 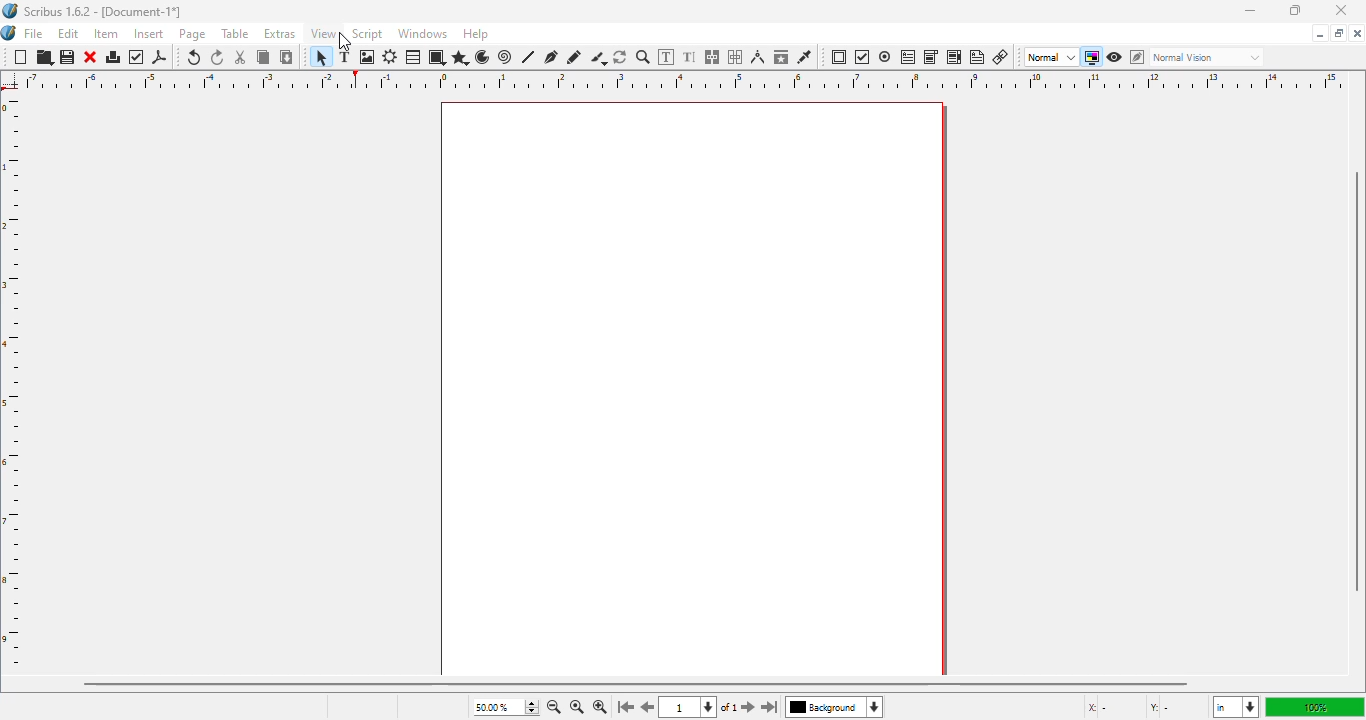 What do you see at coordinates (649, 708) in the screenshot?
I see `go to the previous pagr` at bounding box center [649, 708].